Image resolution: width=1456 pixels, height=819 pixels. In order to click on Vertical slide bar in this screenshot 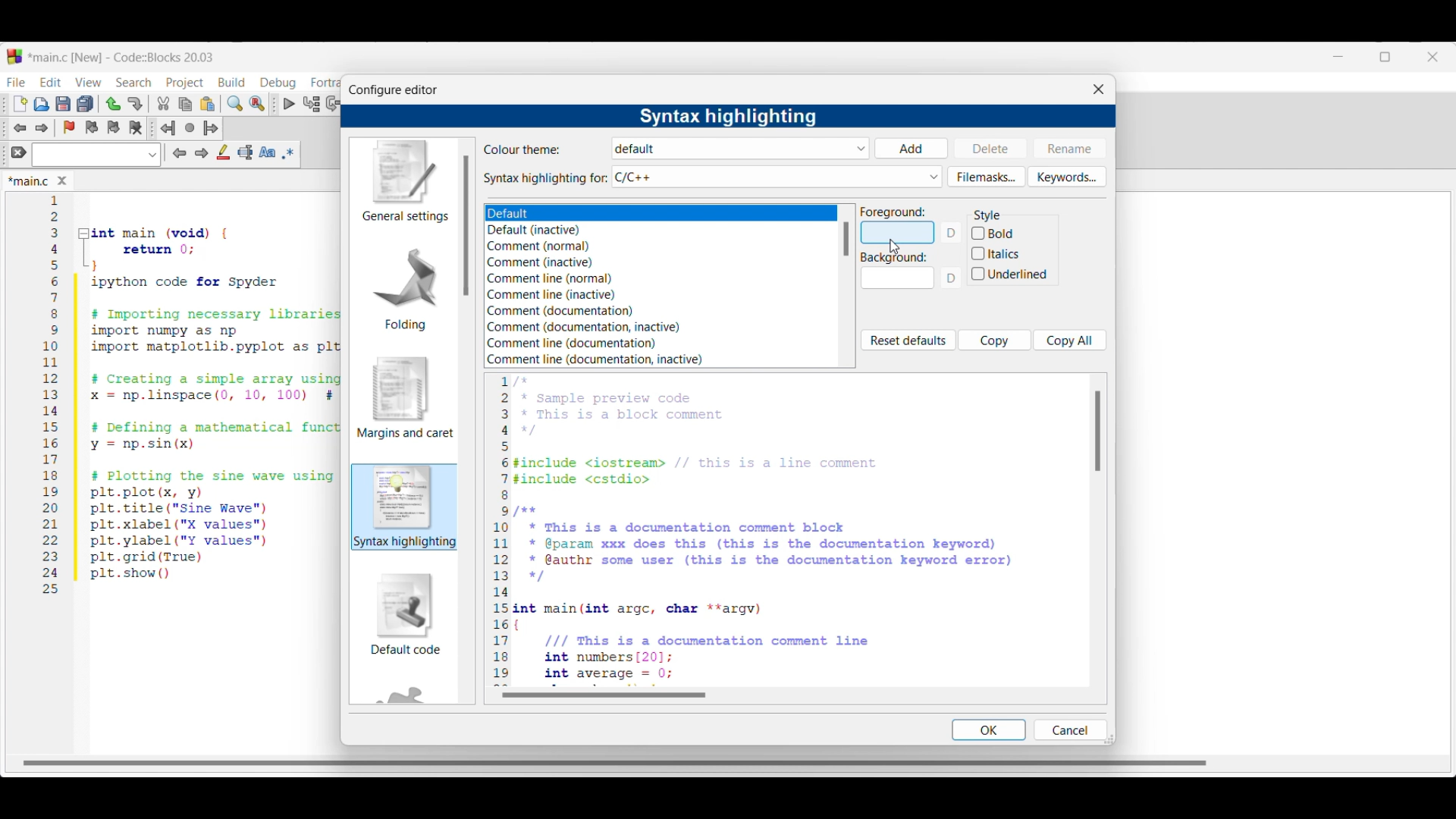, I will do `click(466, 225)`.